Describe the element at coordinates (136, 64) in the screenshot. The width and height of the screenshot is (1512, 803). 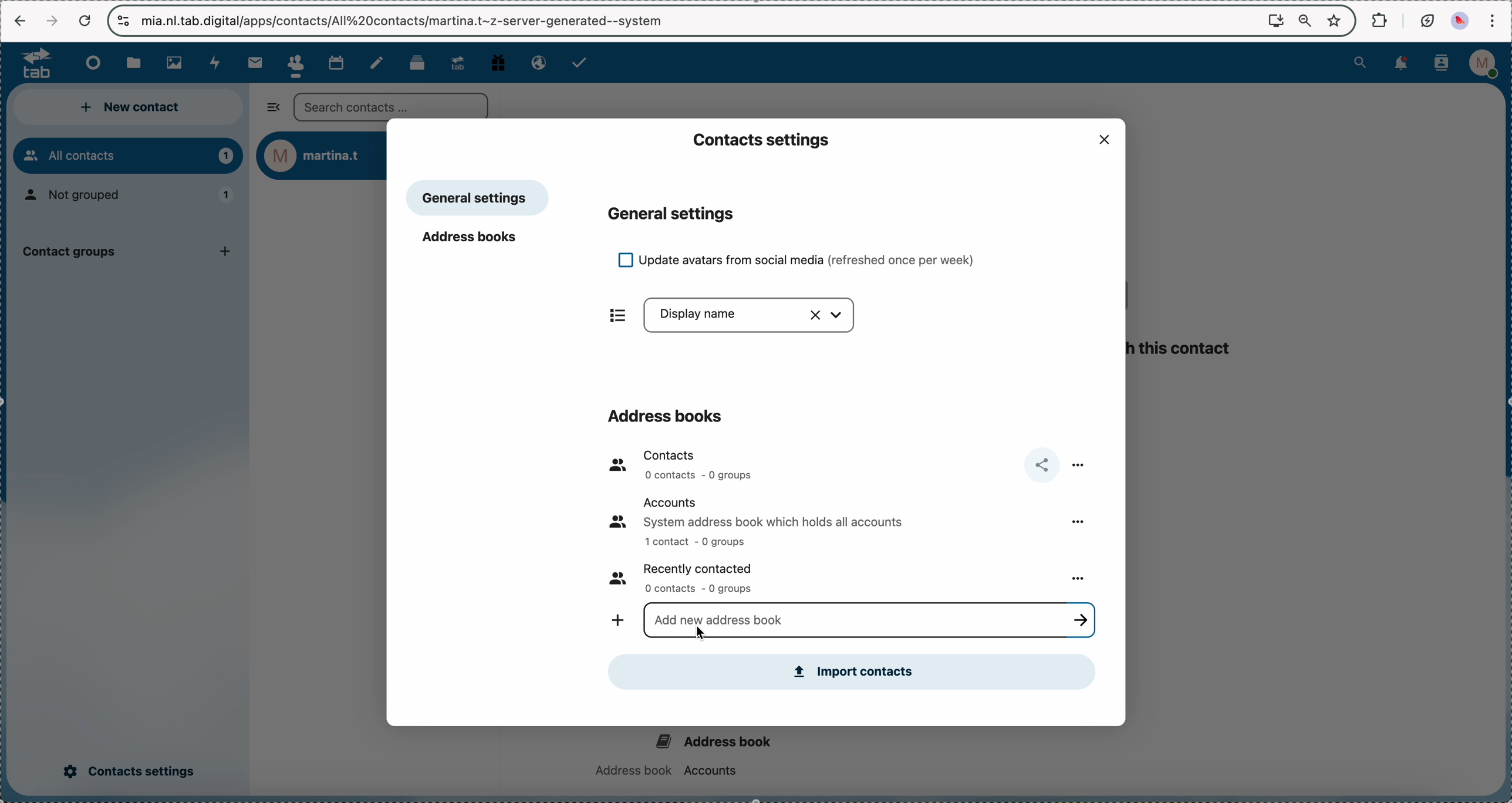
I see `files` at that location.